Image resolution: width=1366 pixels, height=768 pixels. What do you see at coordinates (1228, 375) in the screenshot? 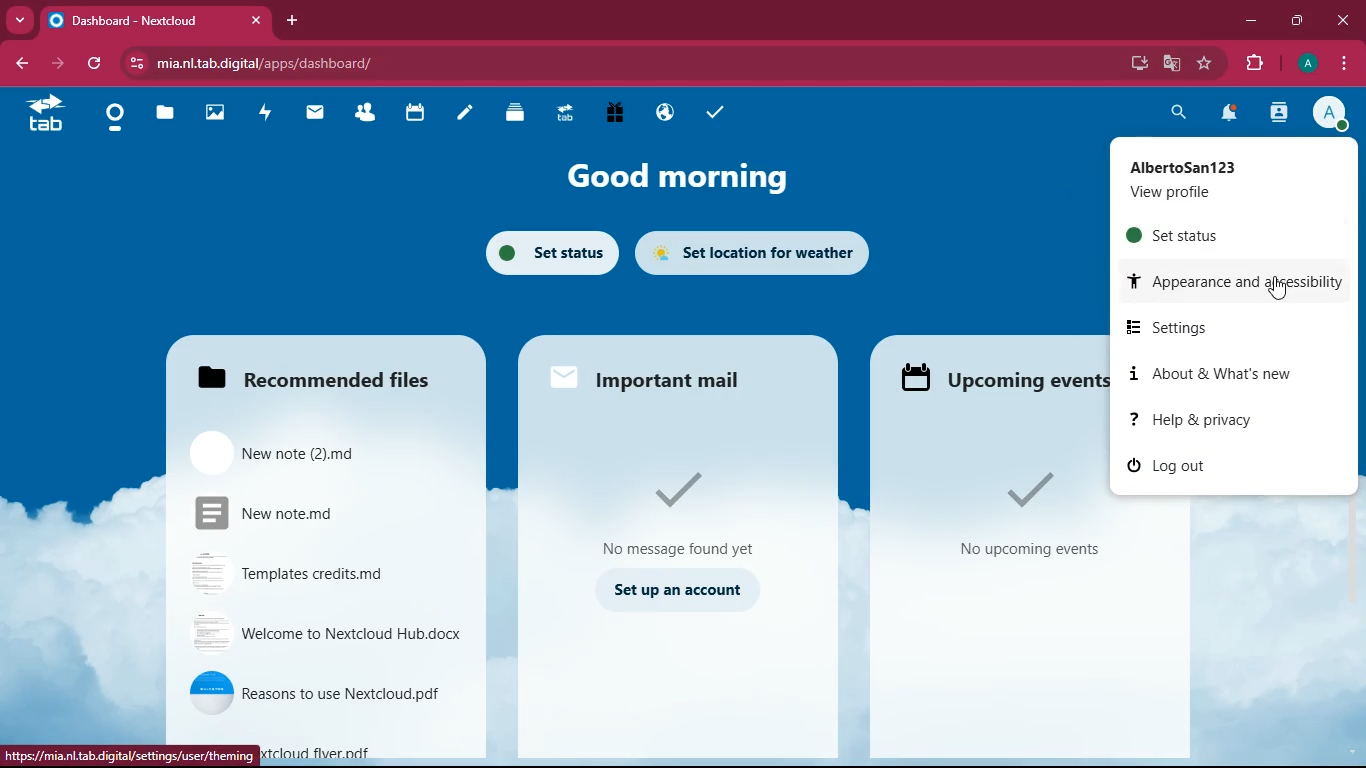
I see `about` at bounding box center [1228, 375].